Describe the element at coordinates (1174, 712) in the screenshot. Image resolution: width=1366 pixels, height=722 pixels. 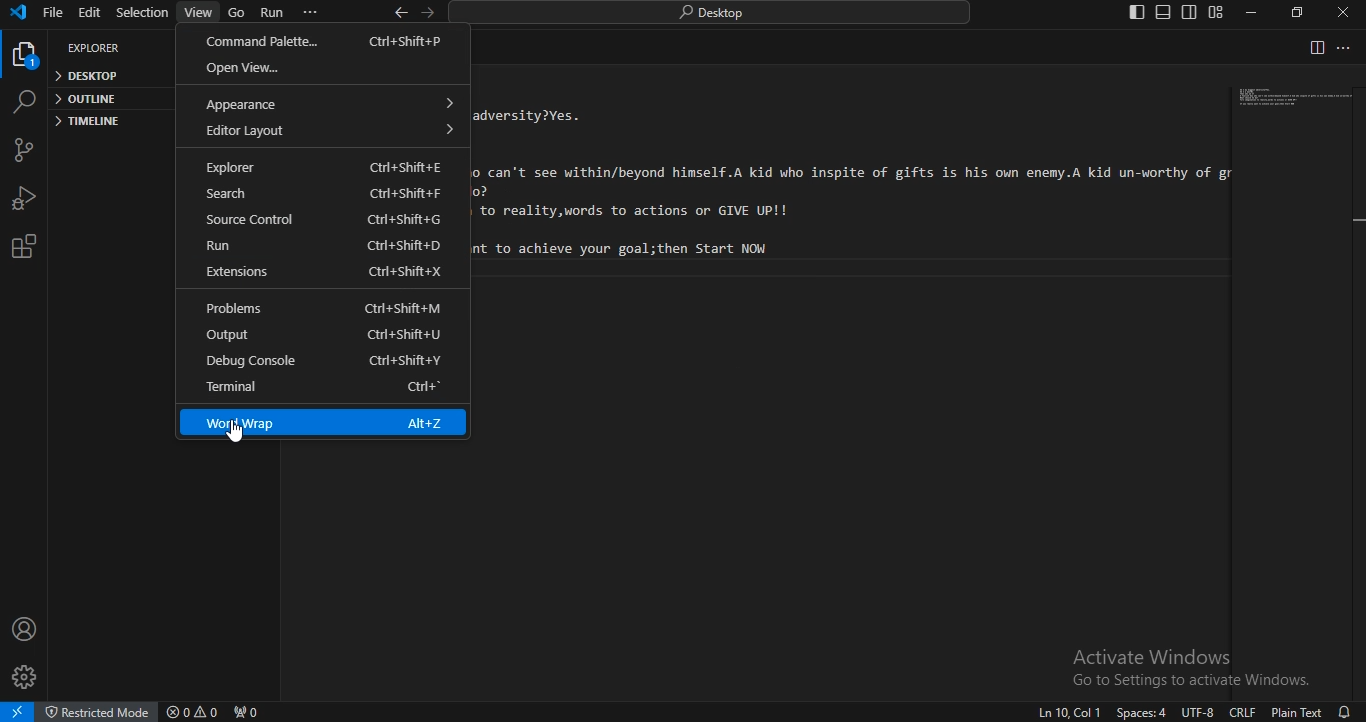
I see `Ln10 Col 1 Spaces:4 UTF-8 CRLF Plain Text` at that location.